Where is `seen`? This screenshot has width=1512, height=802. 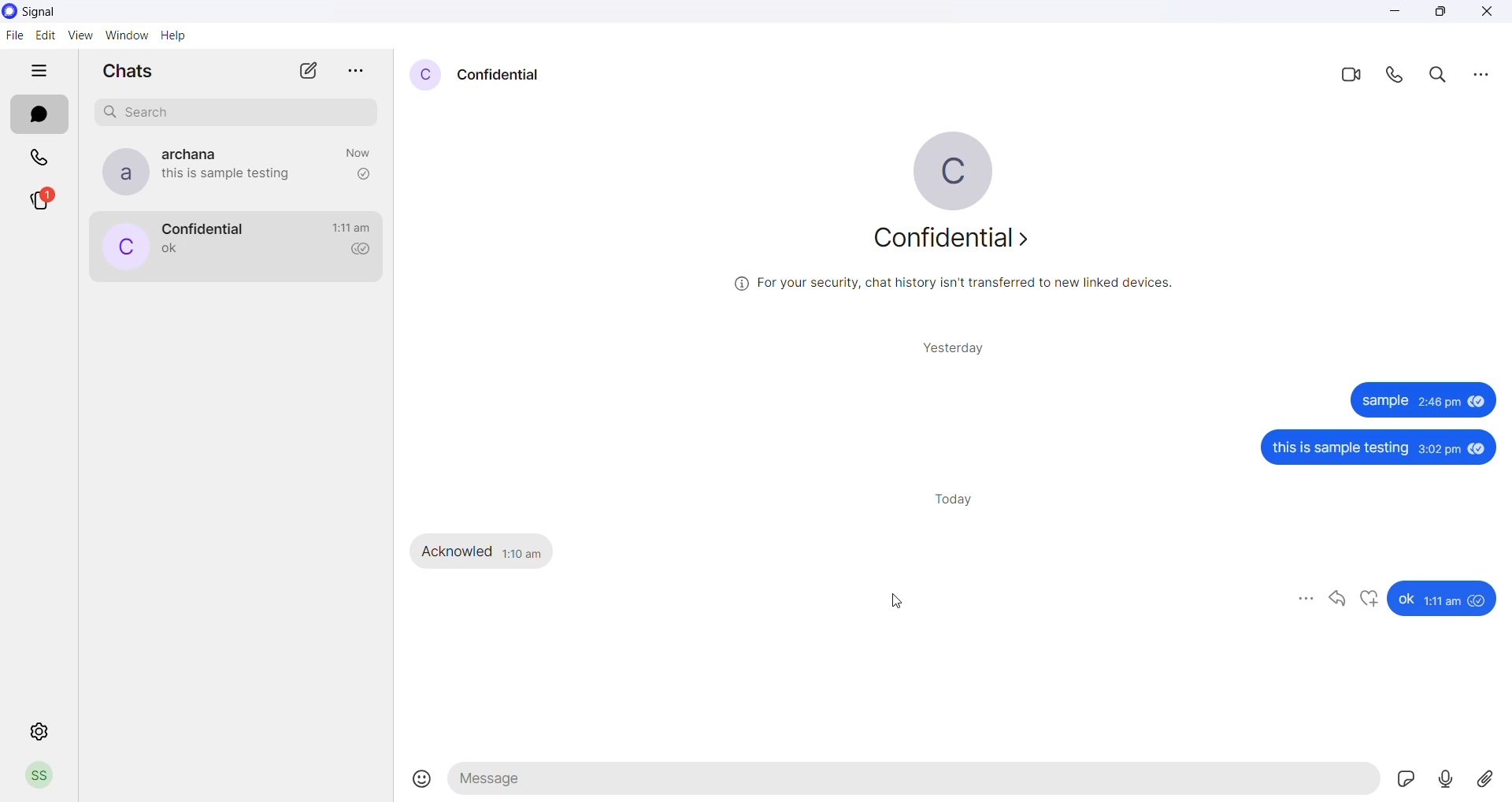
seen is located at coordinates (1479, 449).